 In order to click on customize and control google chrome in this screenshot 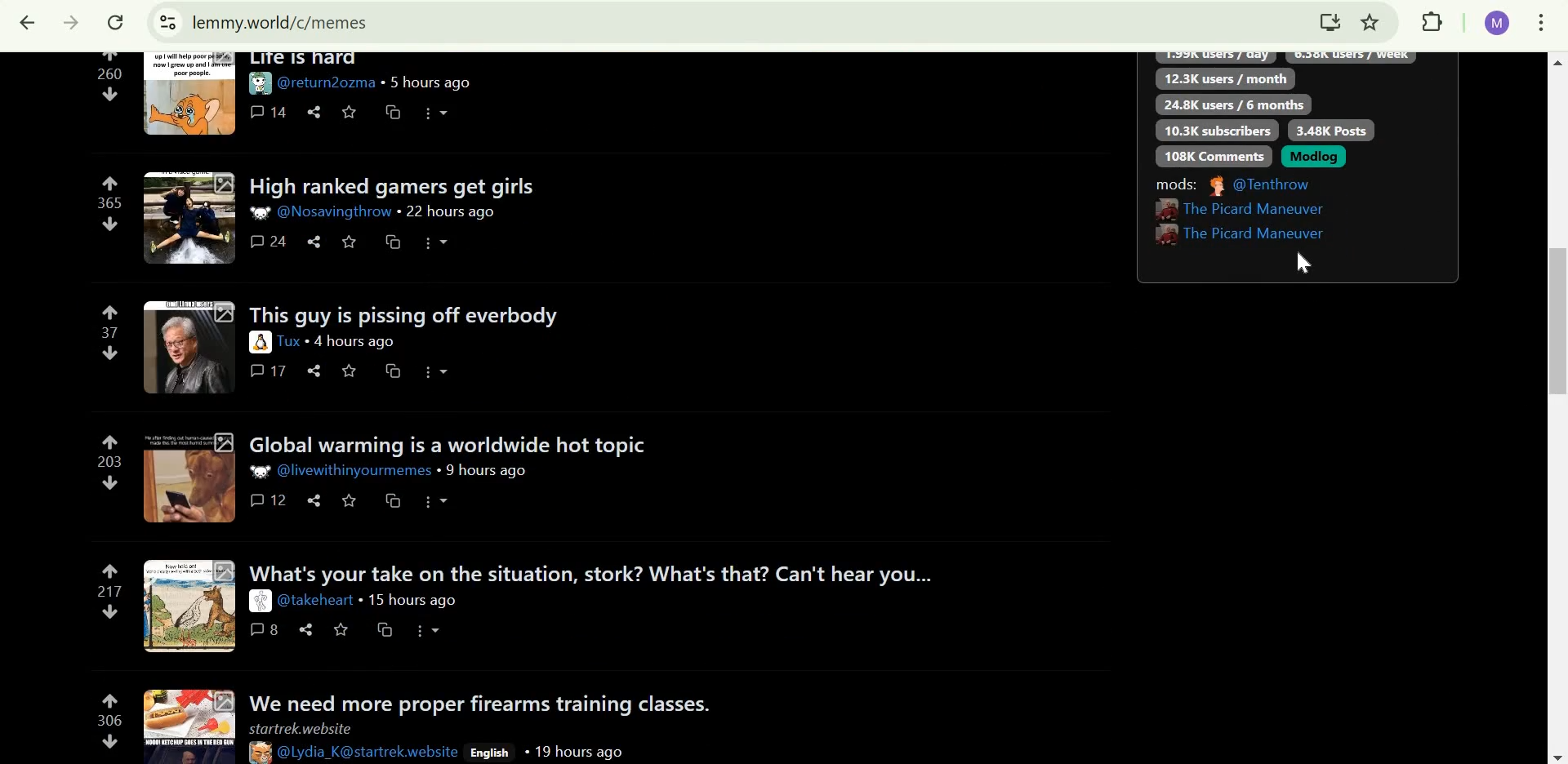, I will do `click(1542, 25)`.